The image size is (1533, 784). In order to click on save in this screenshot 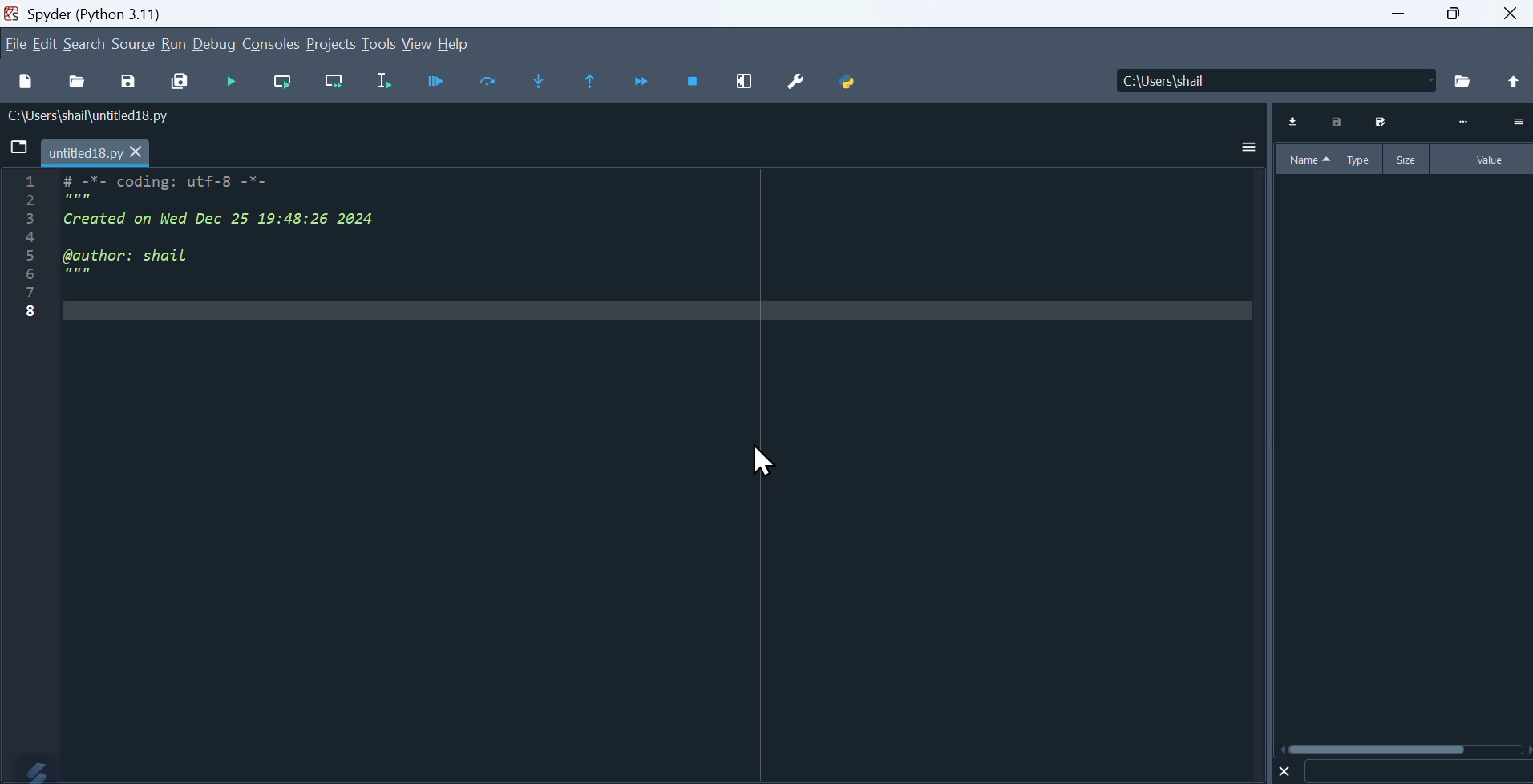, I will do `click(127, 84)`.